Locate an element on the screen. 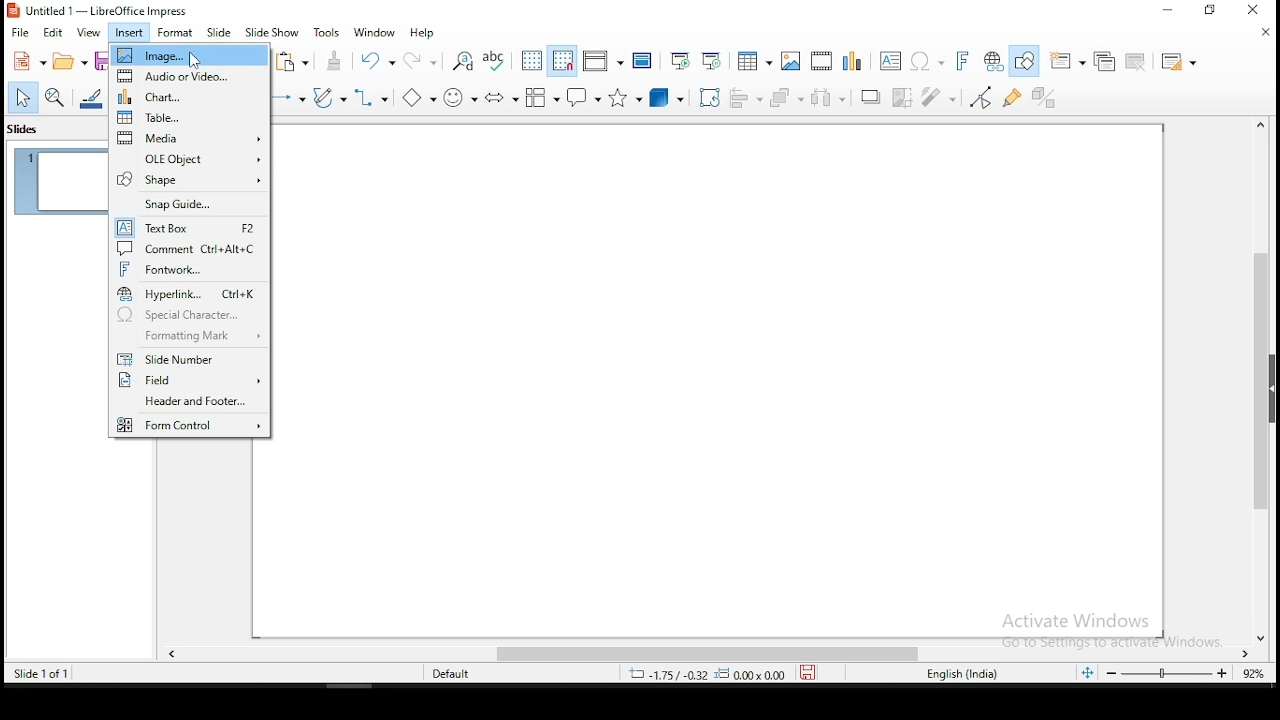 The width and height of the screenshot is (1280, 720). slide 1 of 1 is located at coordinates (53, 673).